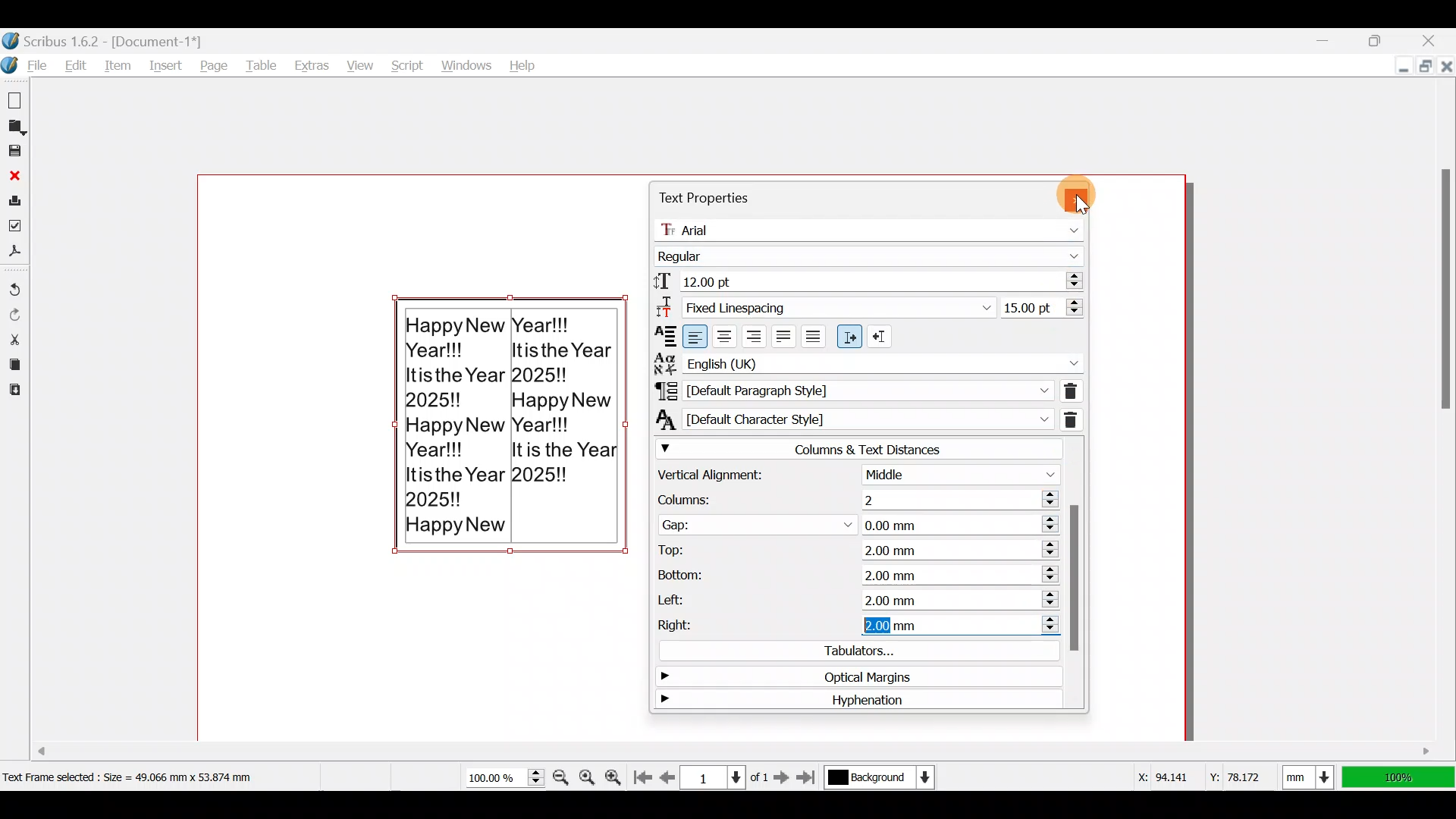 This screenshot has height=819, width=1456. Describe the element at coordinates (1243, 771) in the screenshot. I see `Y-axis dimension values` at that location.